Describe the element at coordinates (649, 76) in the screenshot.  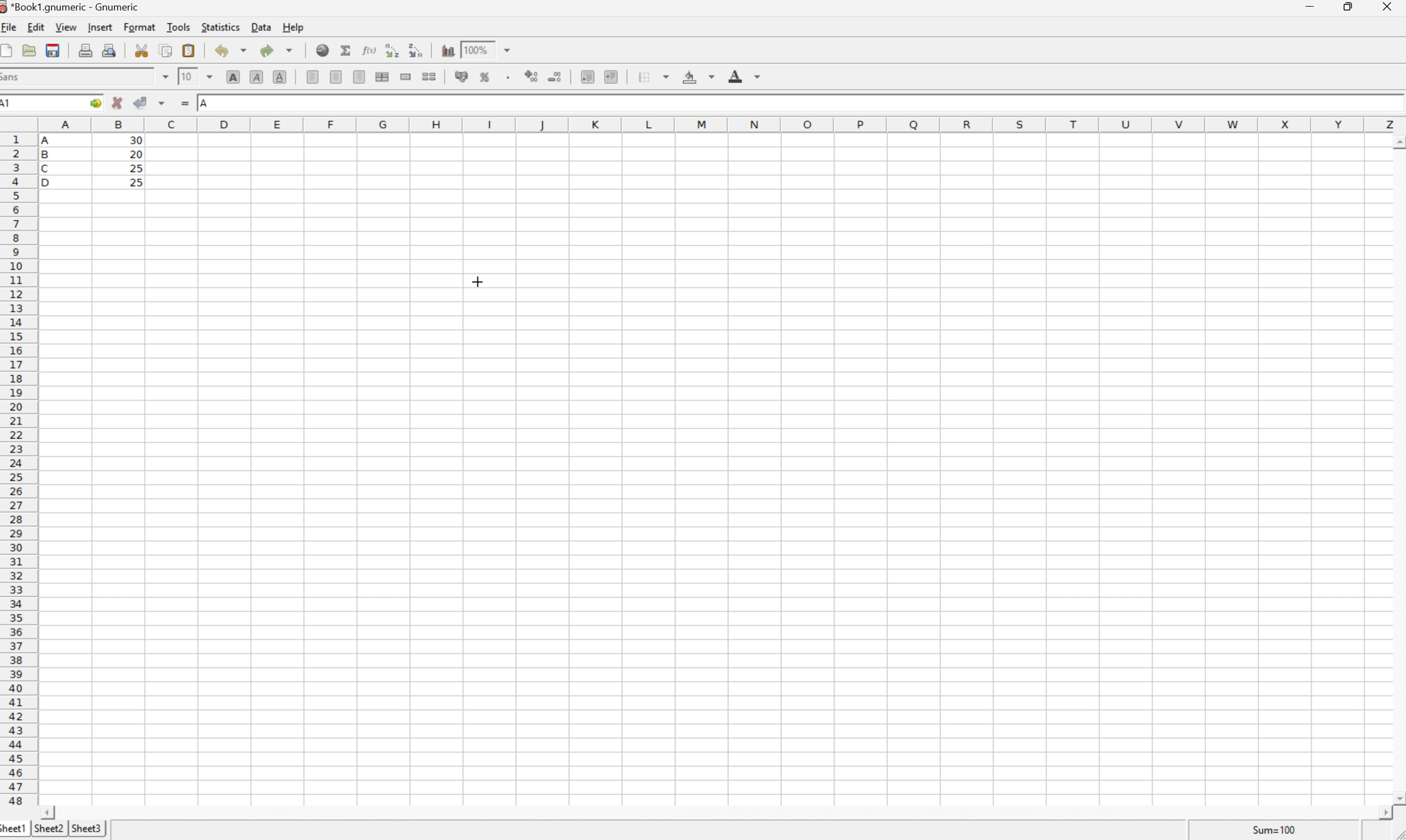
I see `Borders` at that location.